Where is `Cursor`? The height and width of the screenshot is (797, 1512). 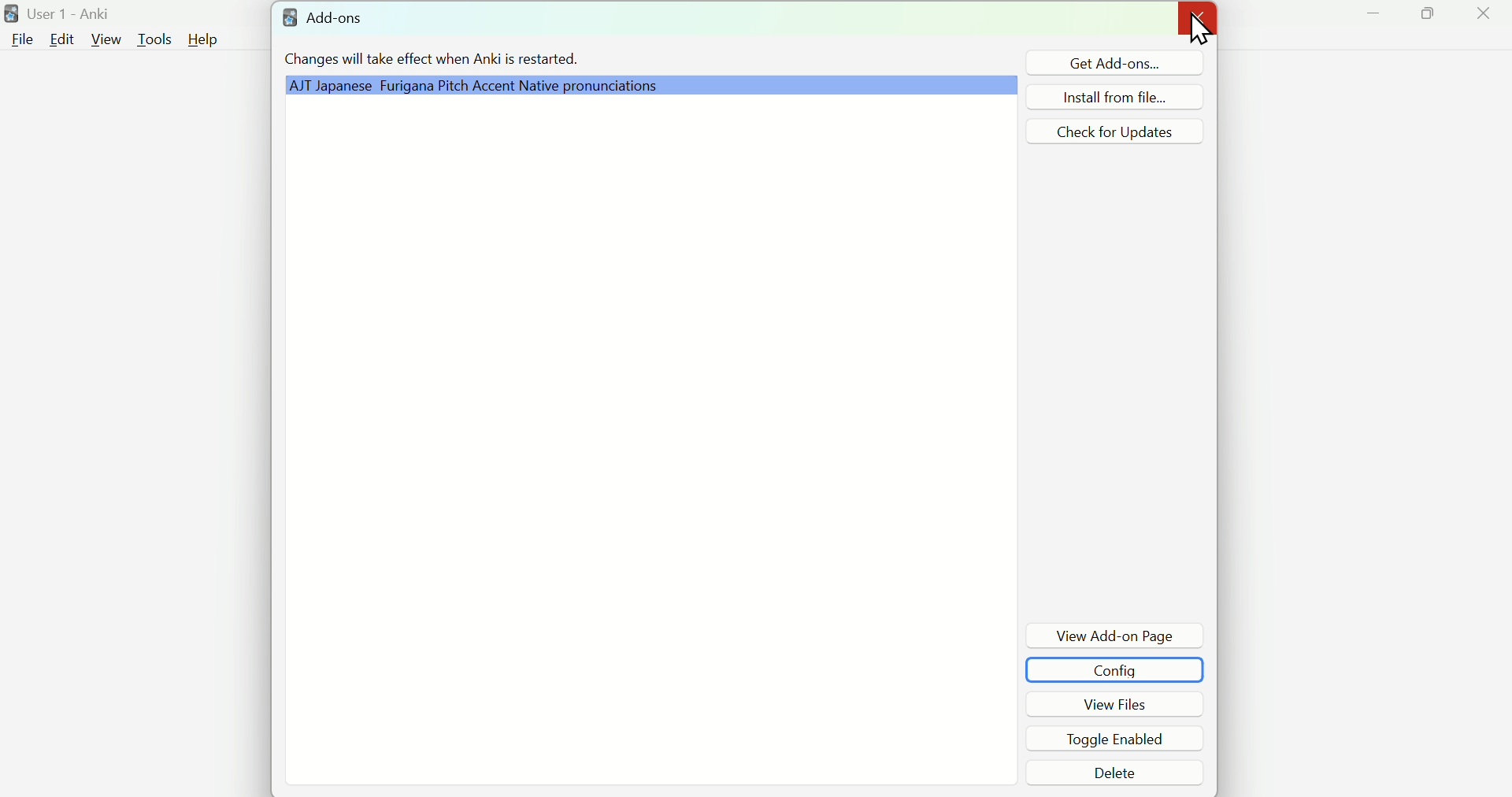
Cursor is located at coordinates (1195, 24).